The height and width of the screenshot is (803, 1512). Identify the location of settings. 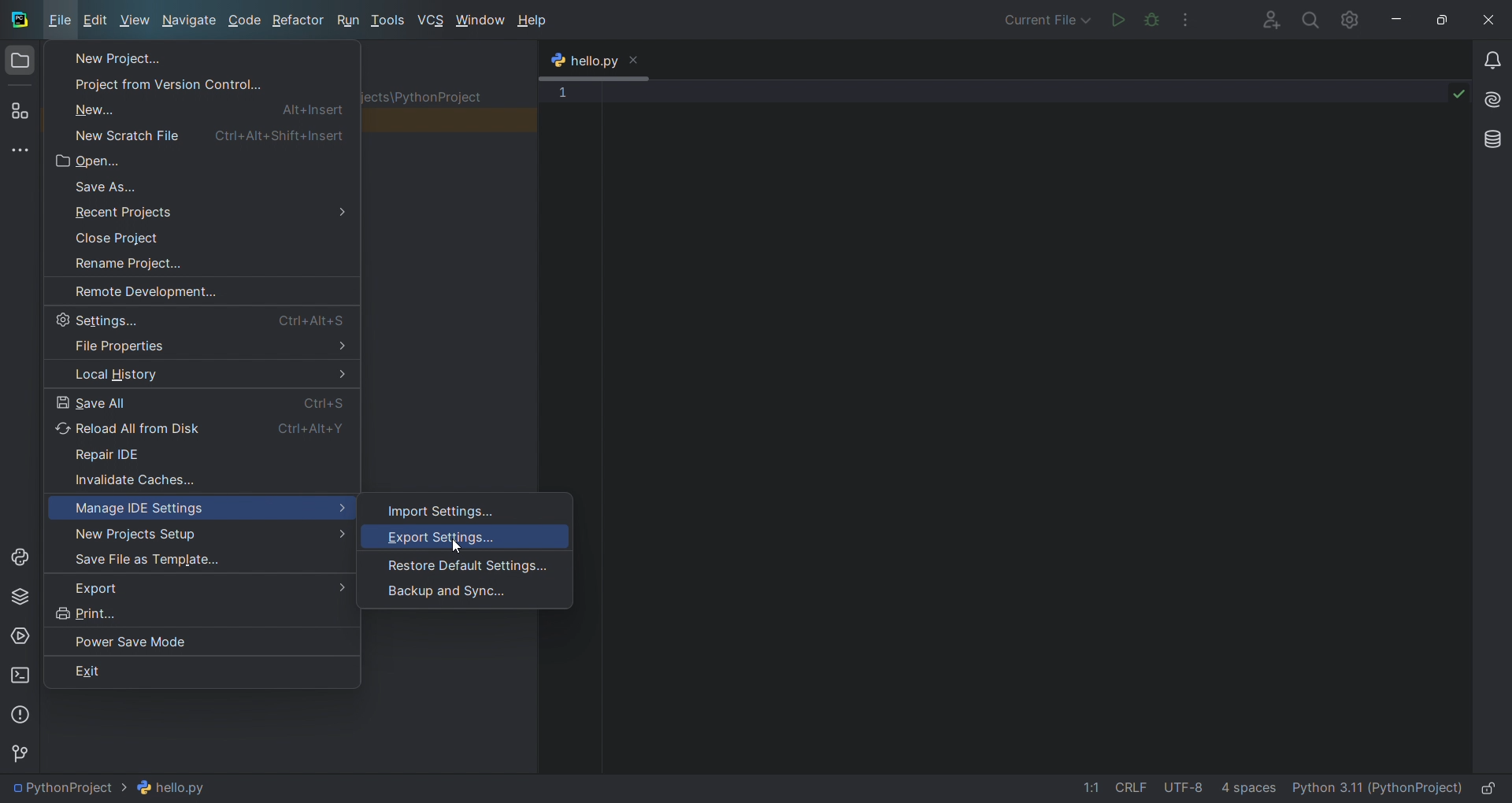
(1351, 18).